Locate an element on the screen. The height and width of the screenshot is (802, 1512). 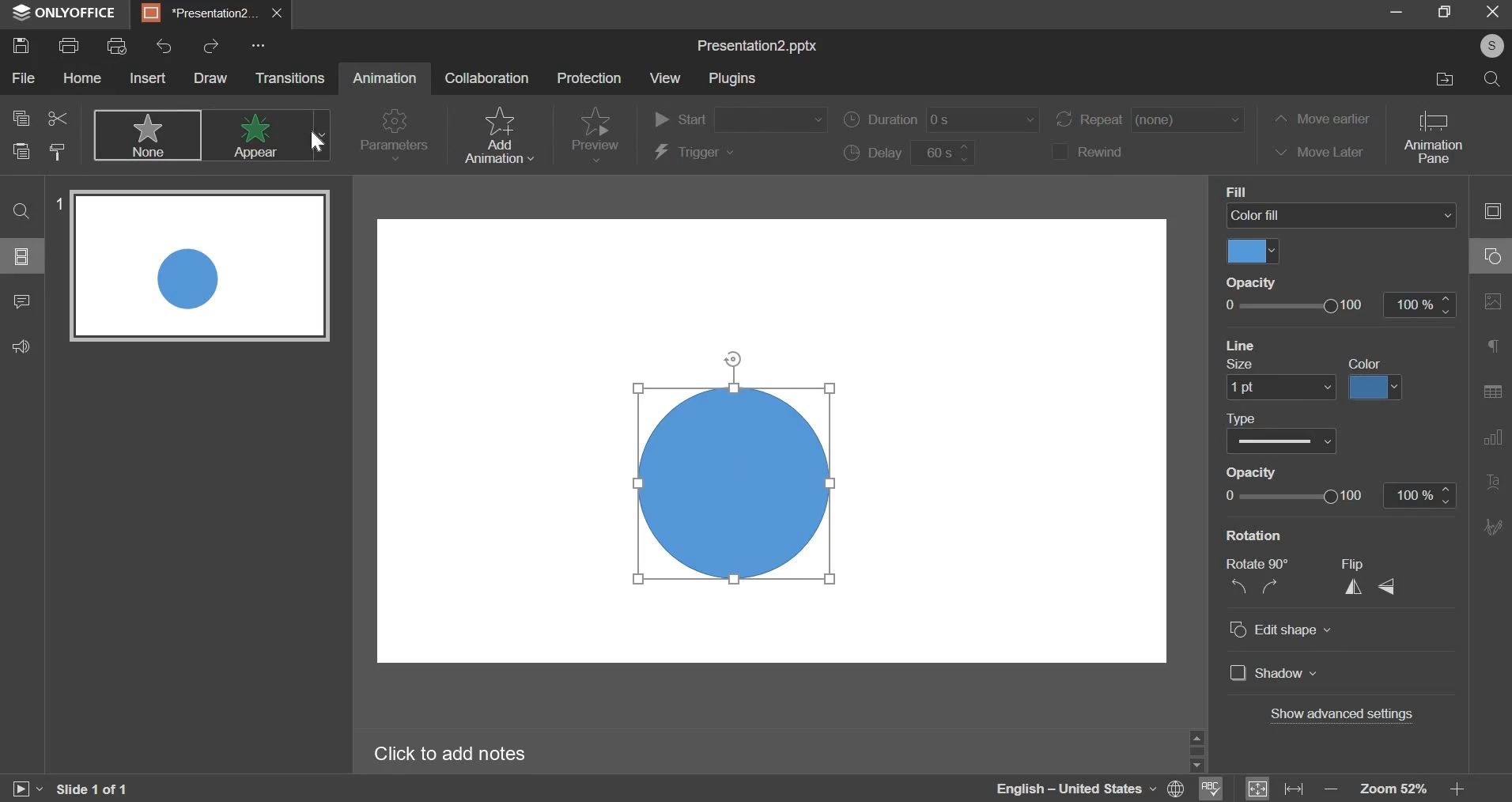
exit is located at coordinates (1496, 13).